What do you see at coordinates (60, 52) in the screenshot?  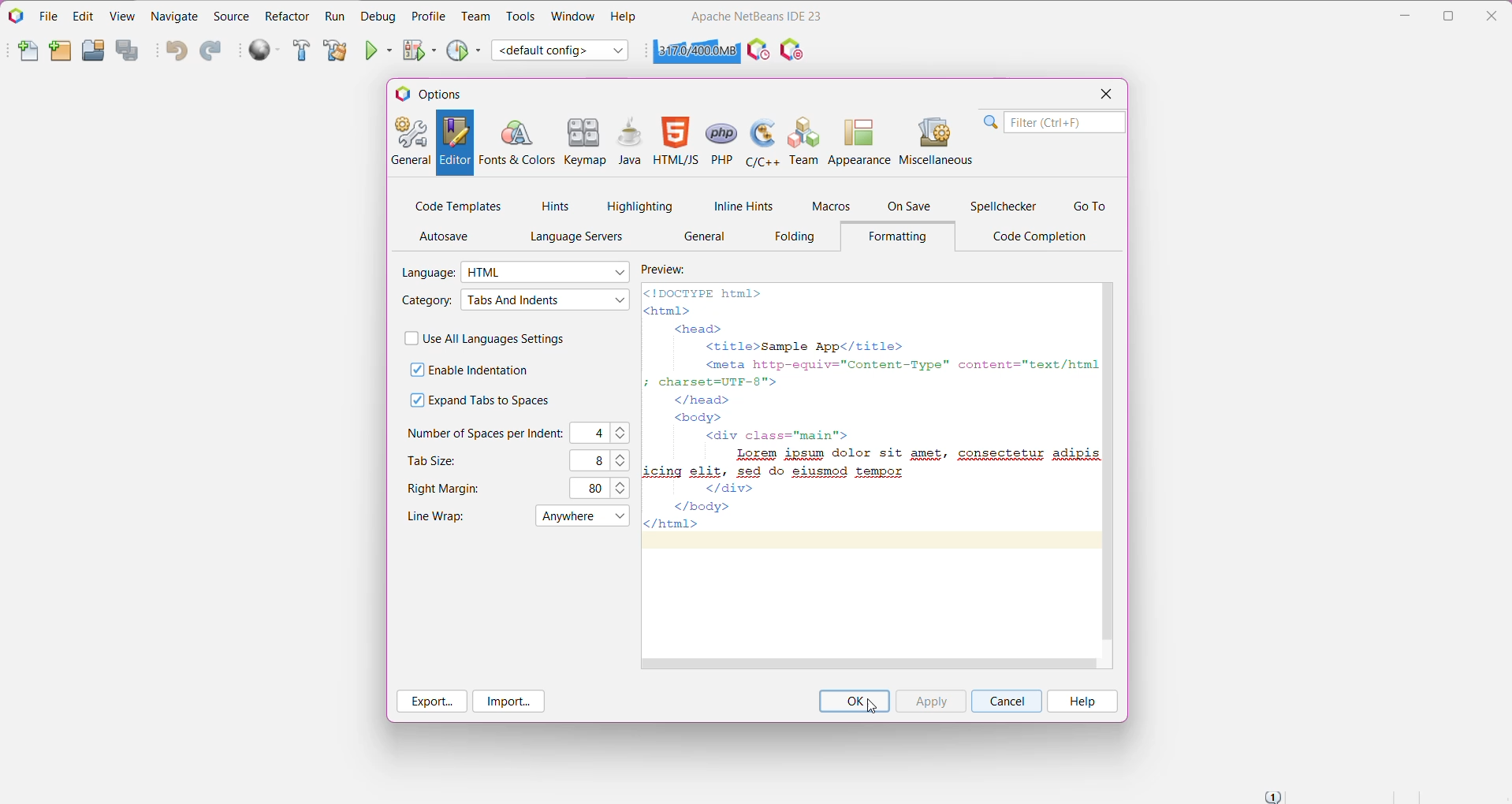 I see `New Project` at bounding box center [60, 52].